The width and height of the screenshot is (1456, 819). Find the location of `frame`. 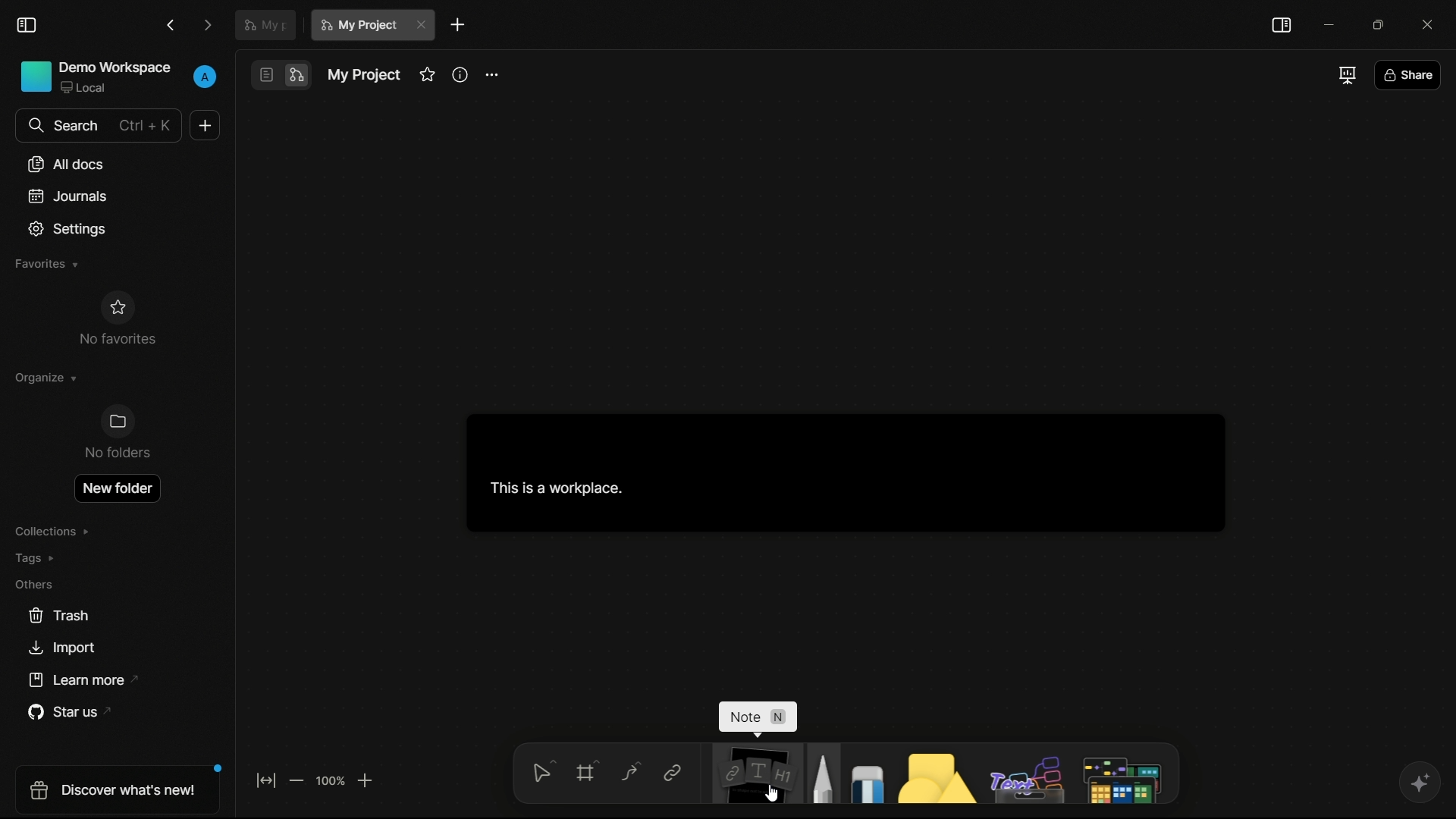

frame is located at coordinates (584, 775).